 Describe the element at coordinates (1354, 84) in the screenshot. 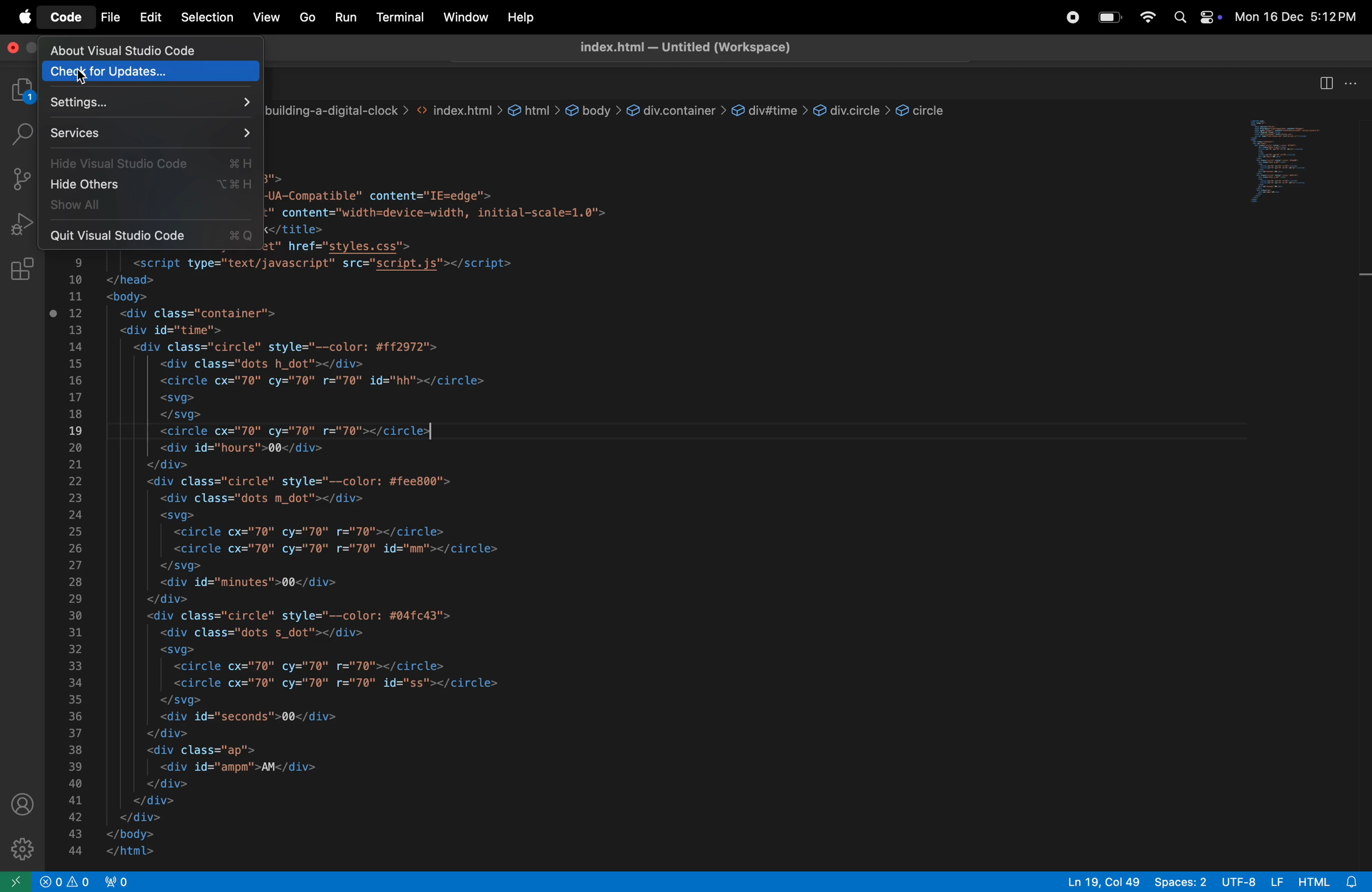

I see `options` at that location.